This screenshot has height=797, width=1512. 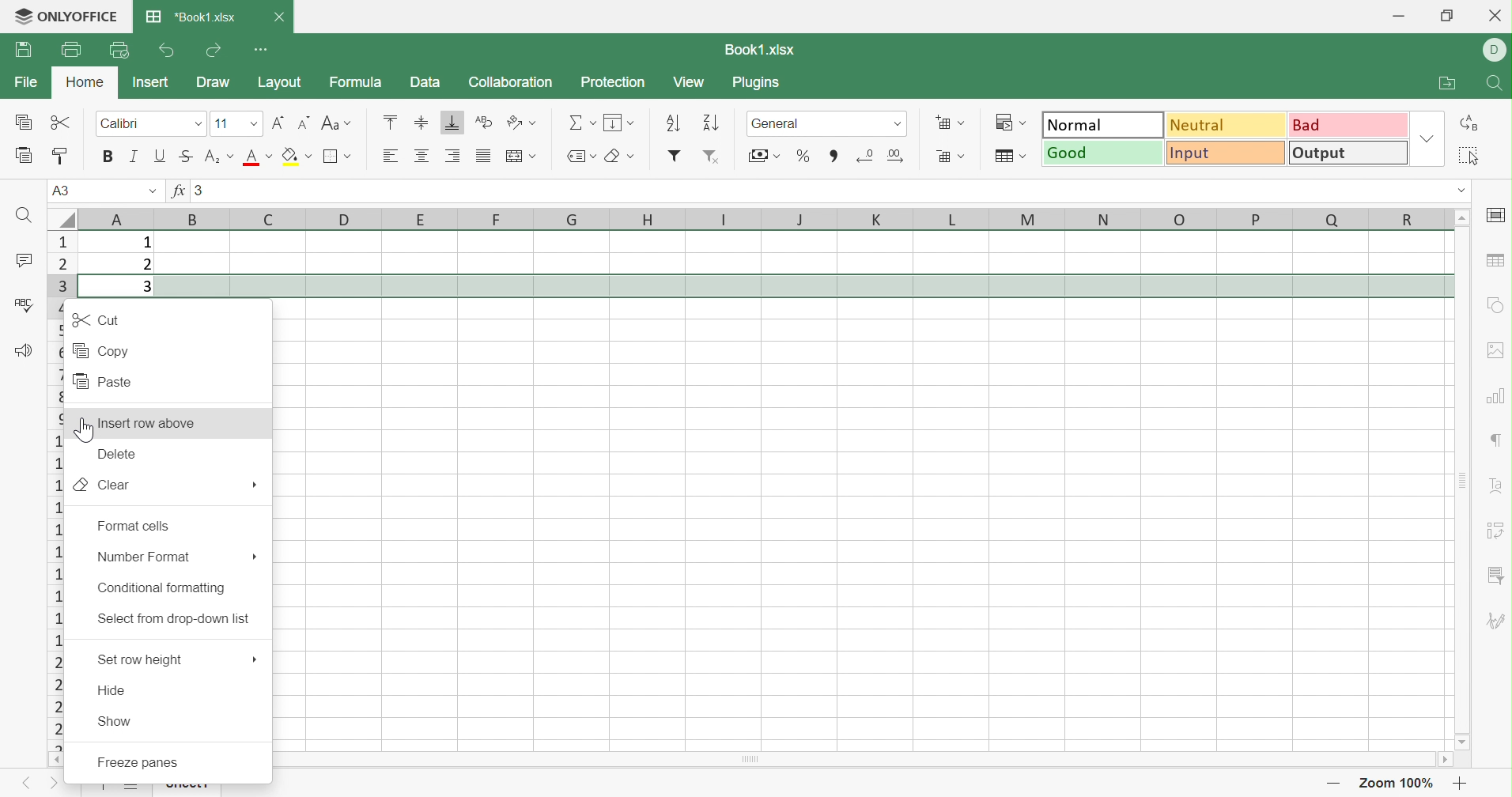 What do you see at coordinates (114, 688) in the screenshot?
I see `Hide` at bounding box center [114, 688].